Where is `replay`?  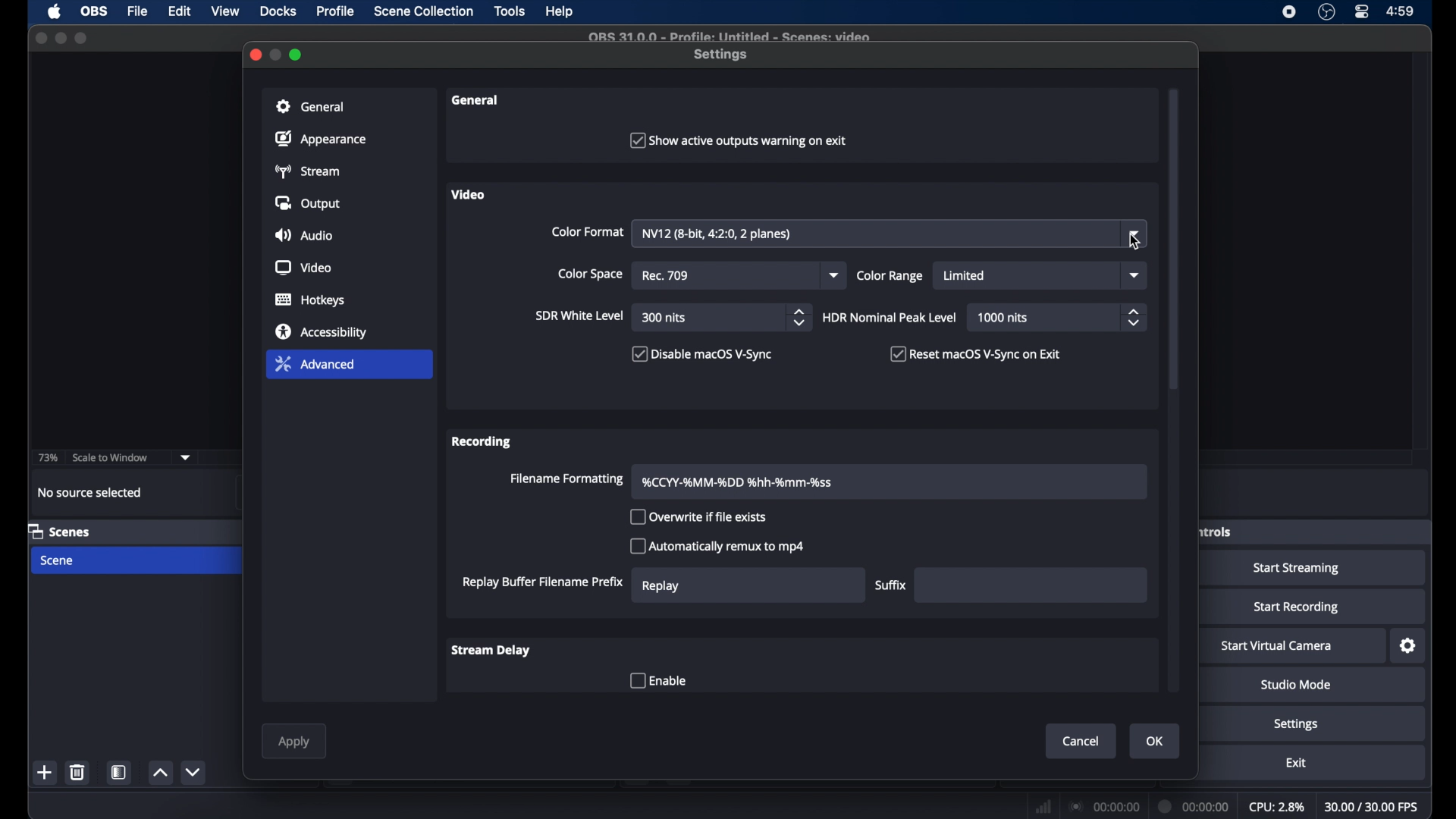 replay is located at coordinates (661, 586).